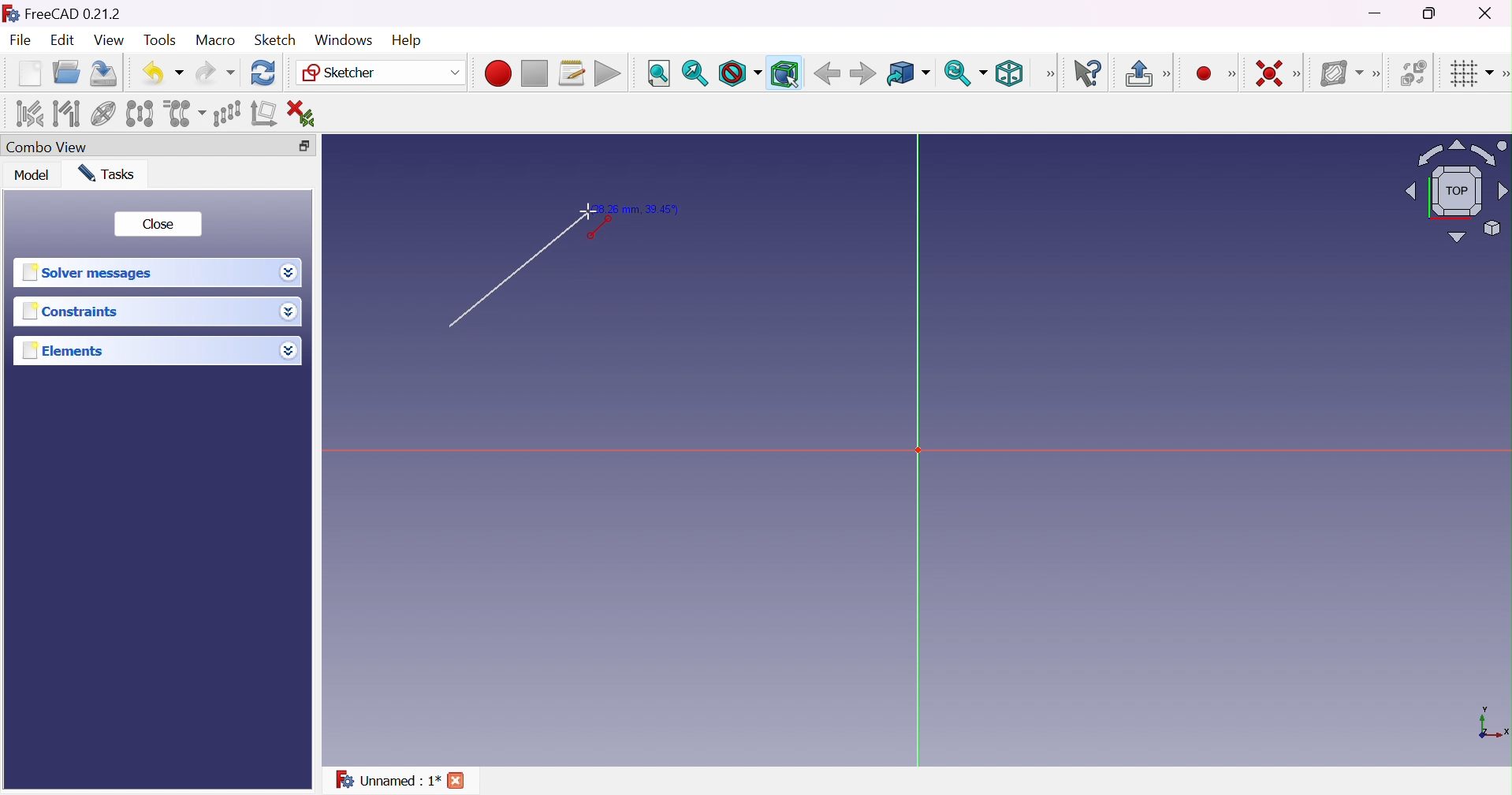  What do you see at coordinates (497, 73) in the screenshot?
I see `Macros recording` at bounding box center [497, 73].